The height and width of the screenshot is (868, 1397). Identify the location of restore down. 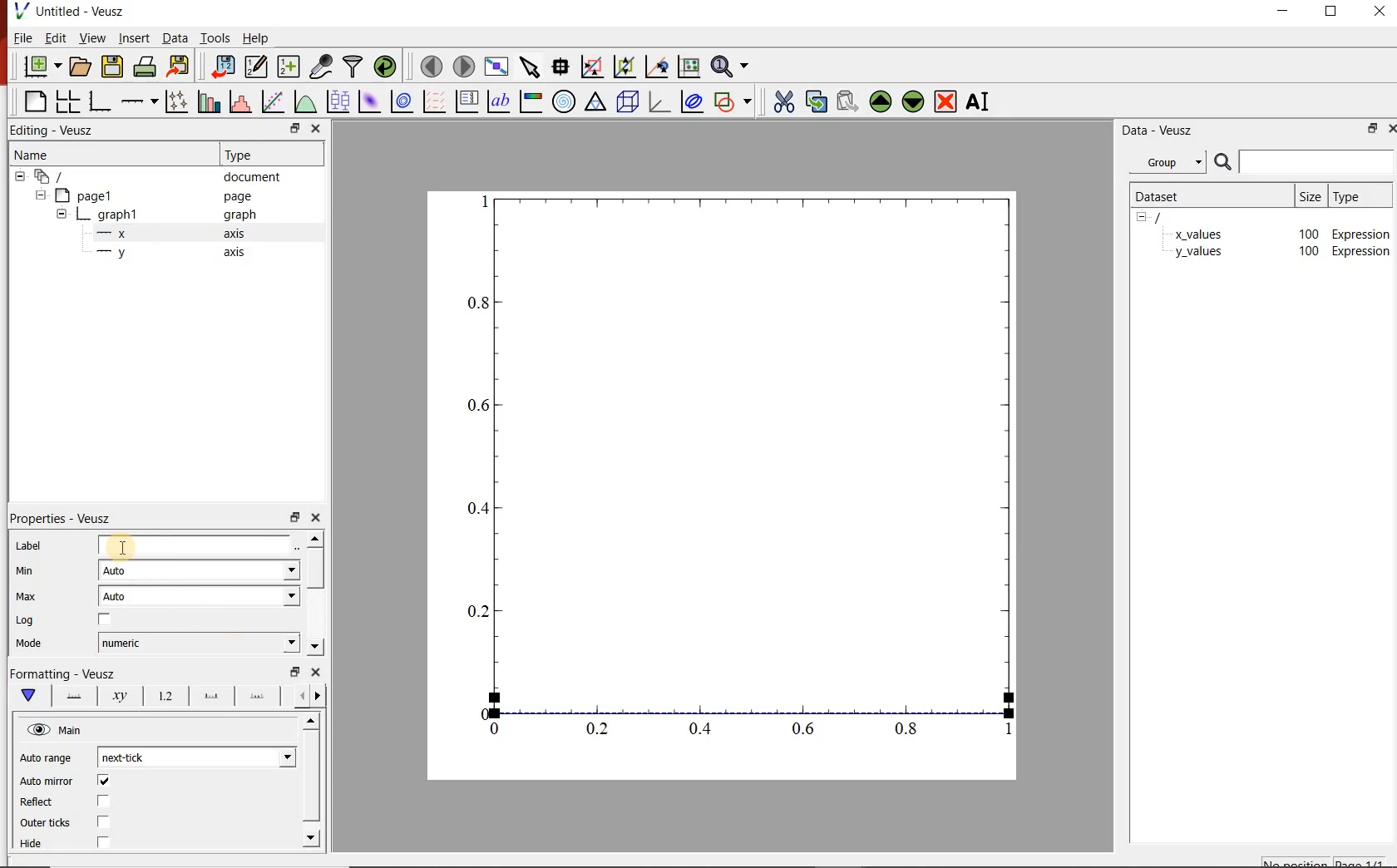
(294, 671).